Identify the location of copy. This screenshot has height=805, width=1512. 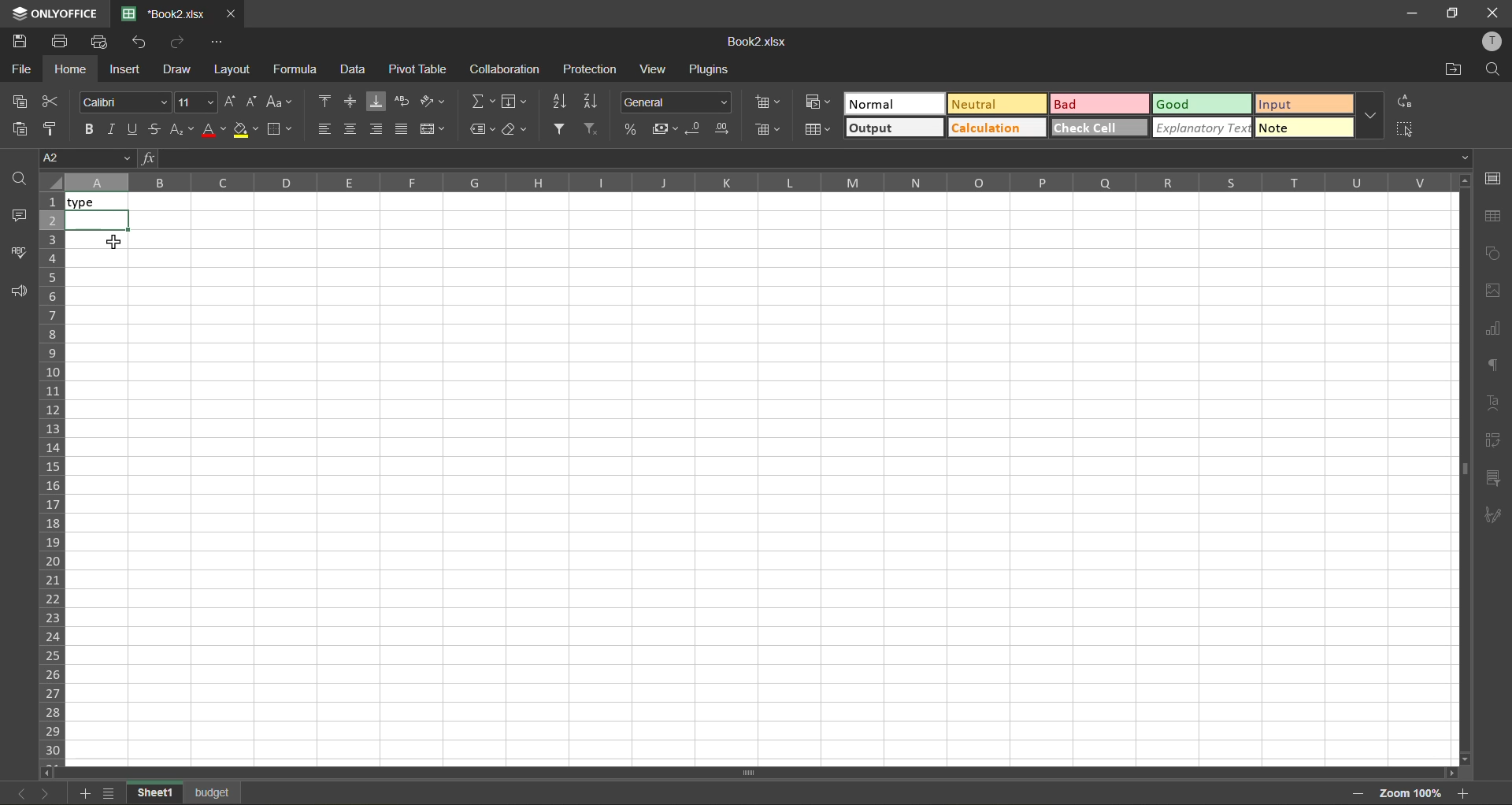
(17, 101).